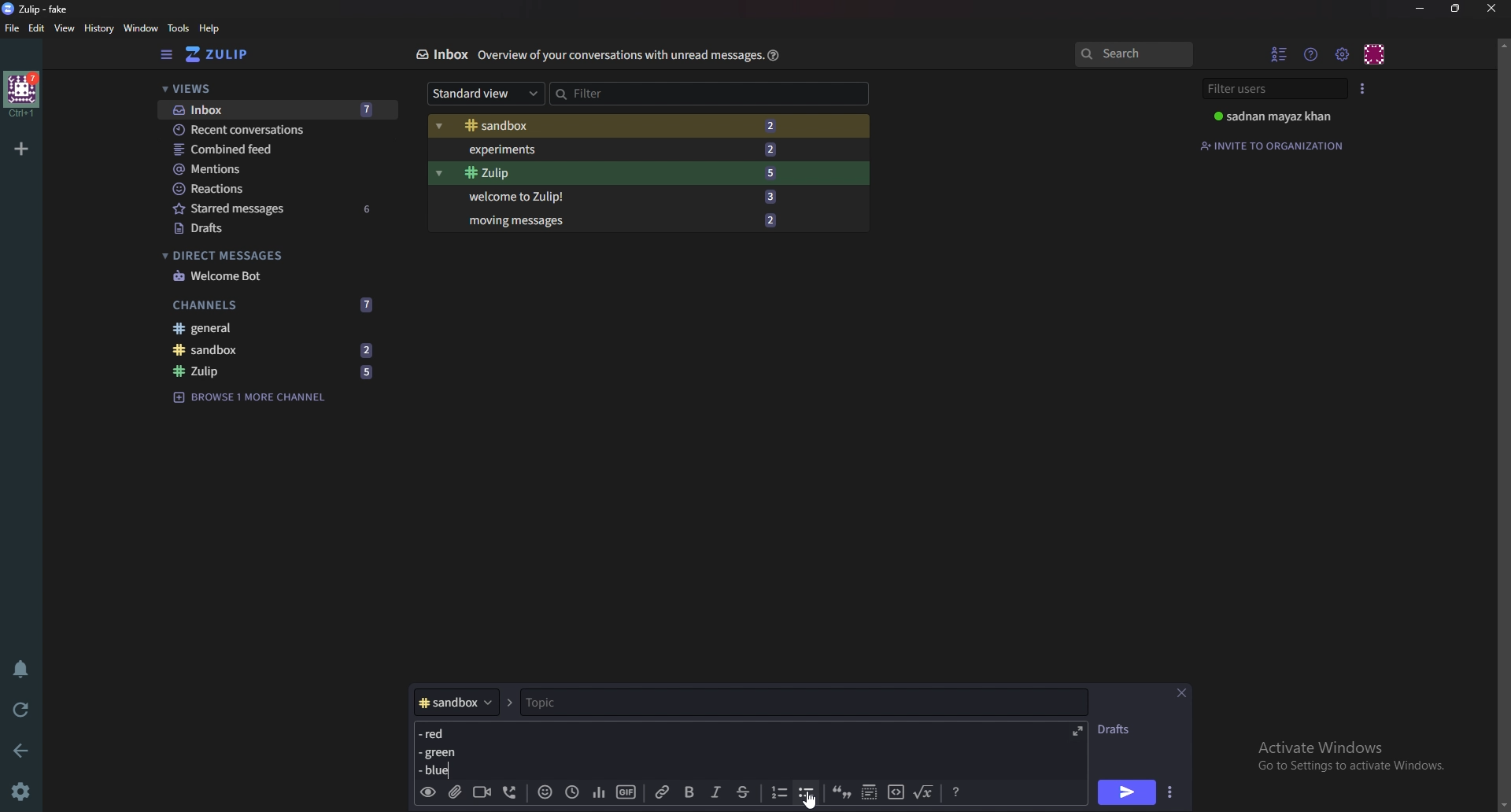  I want to click on preview, so click(427, 793).